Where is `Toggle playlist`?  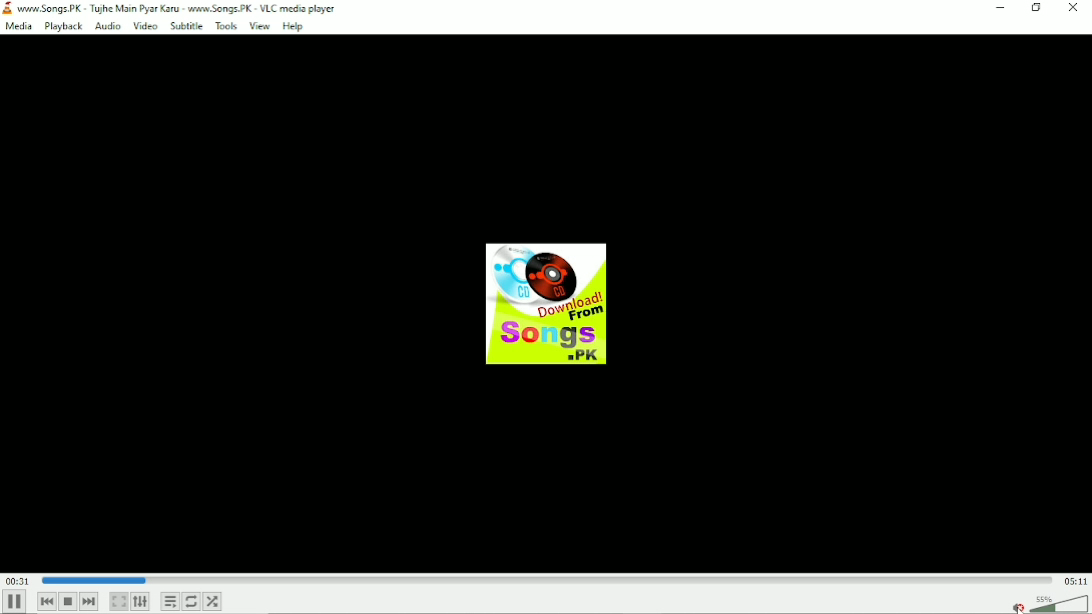 Toggle playlist is located at coordinates (170, 602).